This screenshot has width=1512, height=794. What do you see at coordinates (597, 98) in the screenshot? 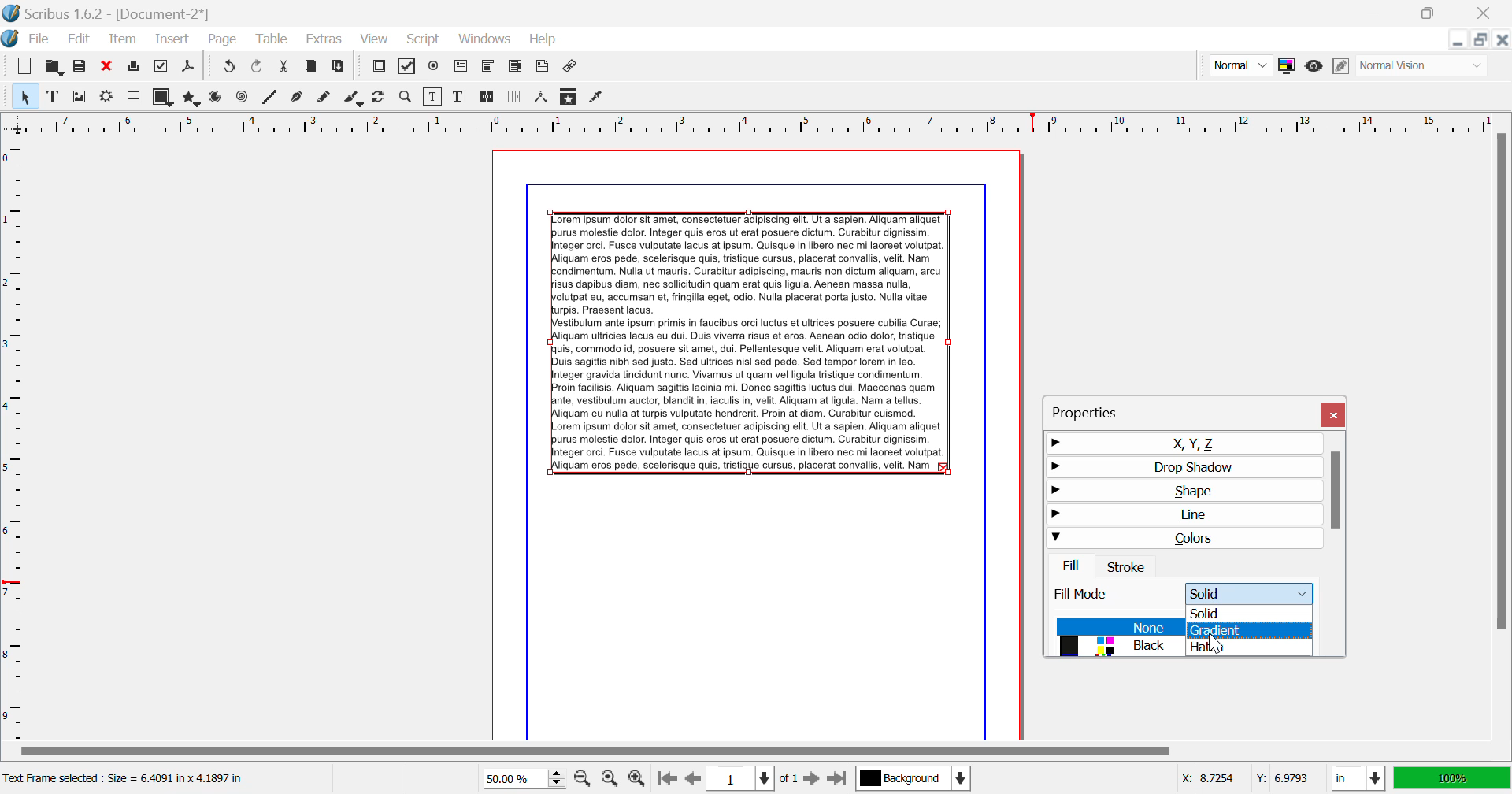
I see `Eyedropper` at bounding box center [597, 98].